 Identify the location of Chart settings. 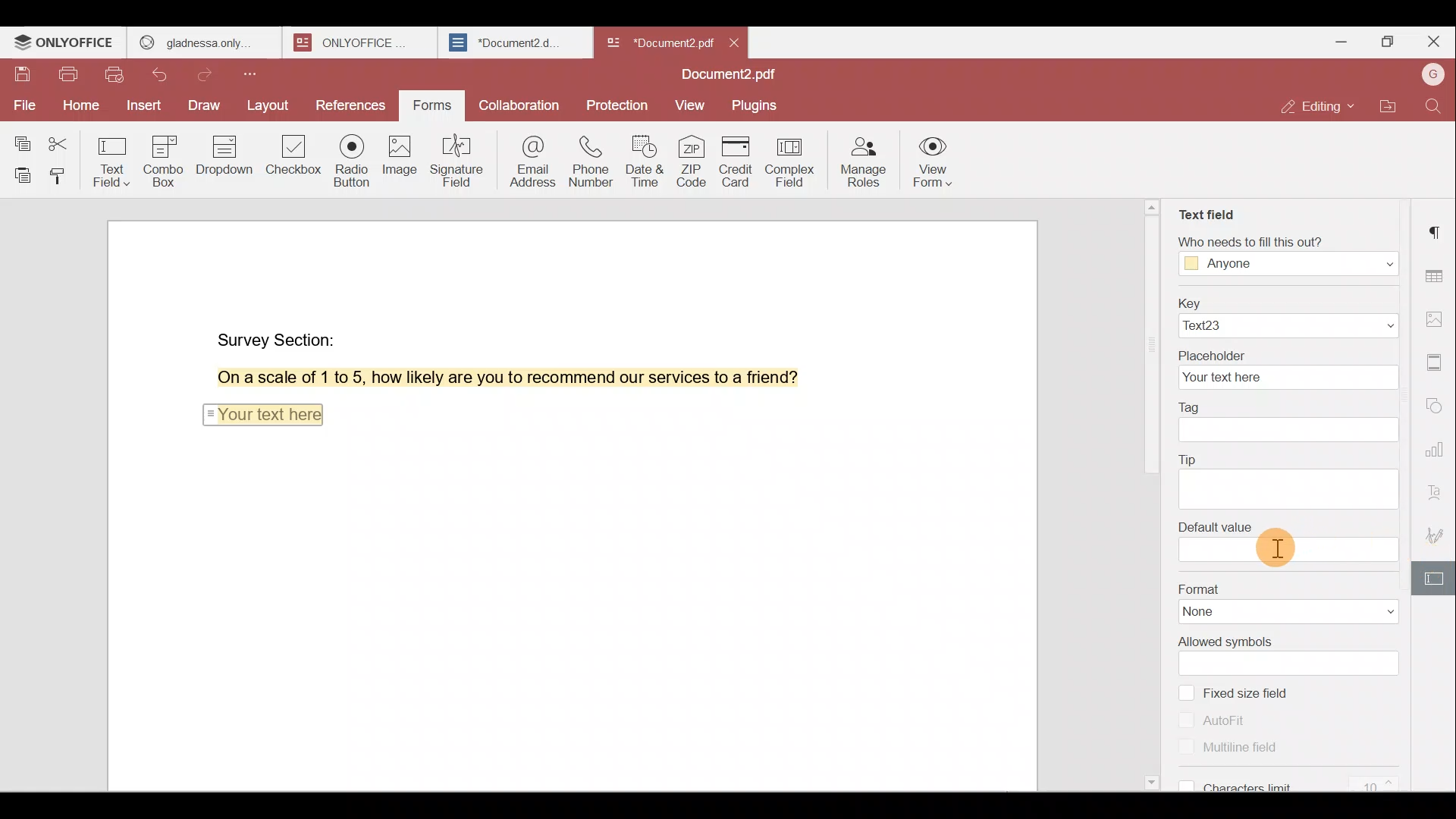
(1439, 441).